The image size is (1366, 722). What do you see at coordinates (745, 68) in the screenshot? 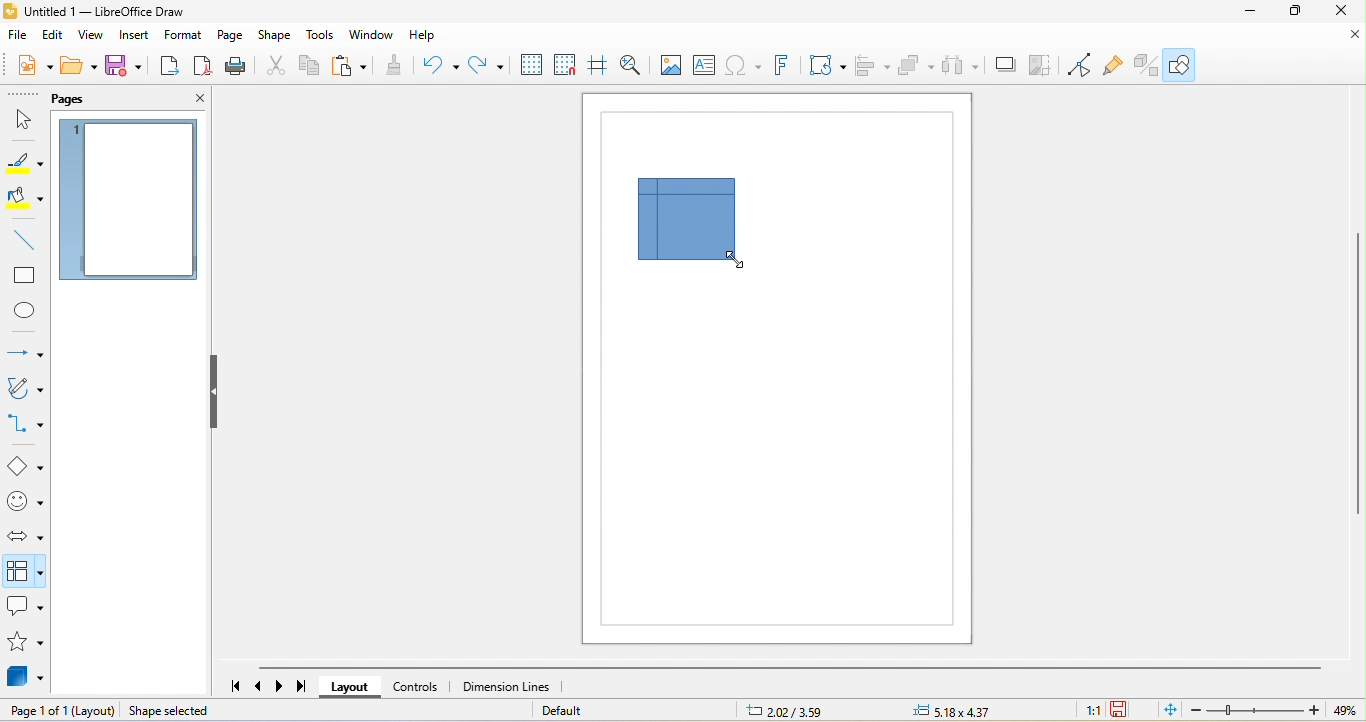
I see `special character` at bounding box center [745, 68].